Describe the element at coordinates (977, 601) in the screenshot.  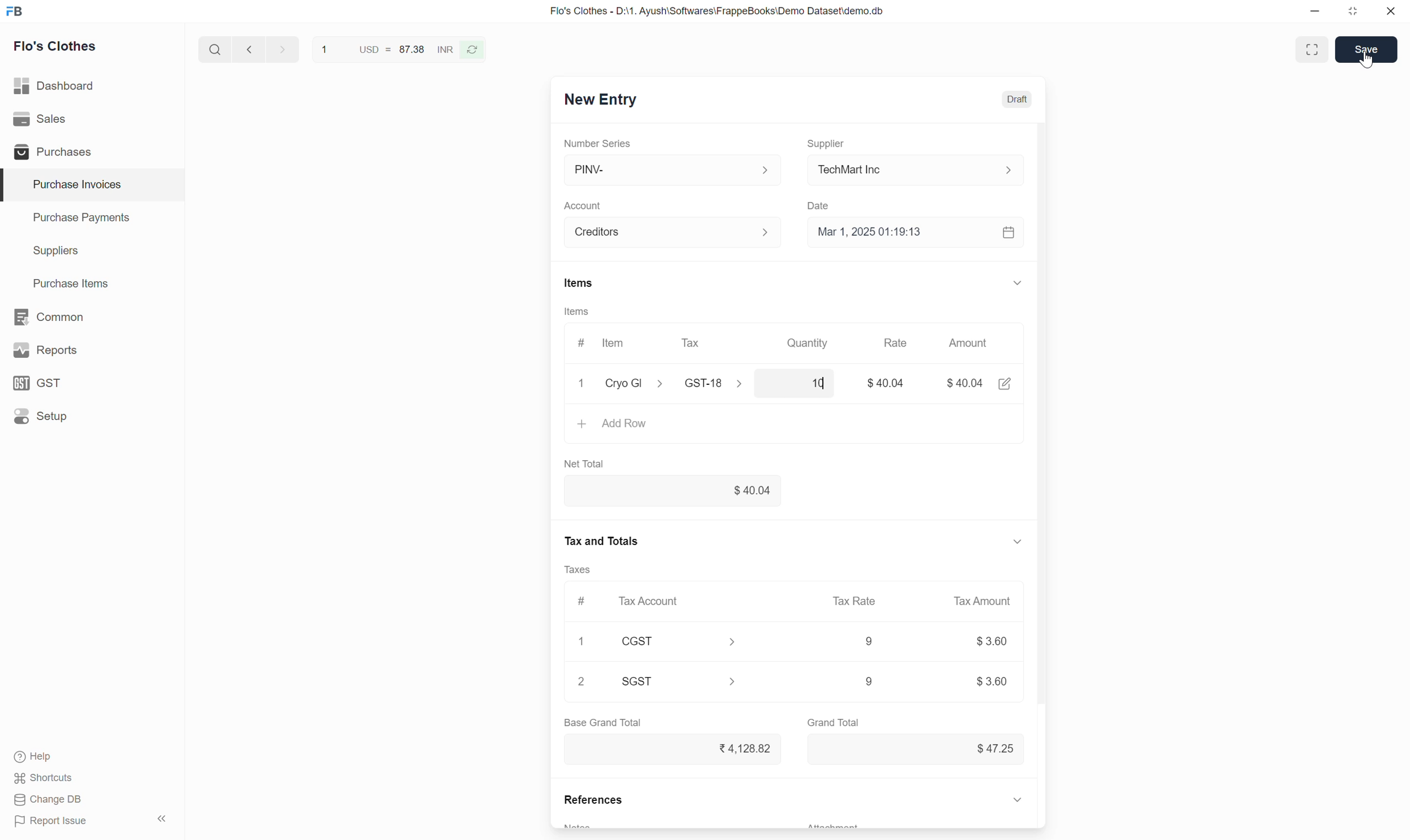
I see `Tax amount` at that location.